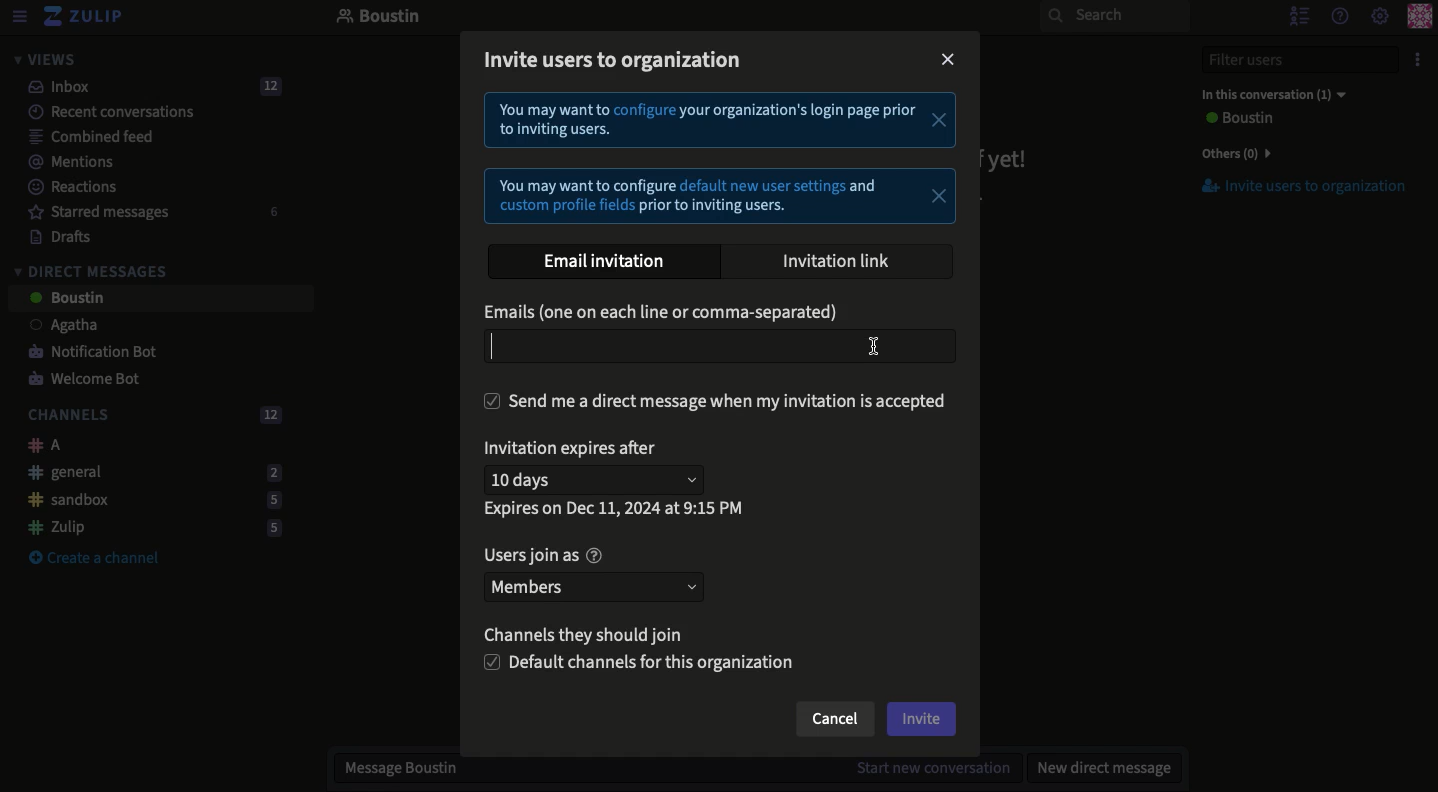 Image resolution: width=1438 pixels, height=792 pixels. Describe the element at coordinates (87, 380) in the screenshot. I see `Welcome bot` at that location.